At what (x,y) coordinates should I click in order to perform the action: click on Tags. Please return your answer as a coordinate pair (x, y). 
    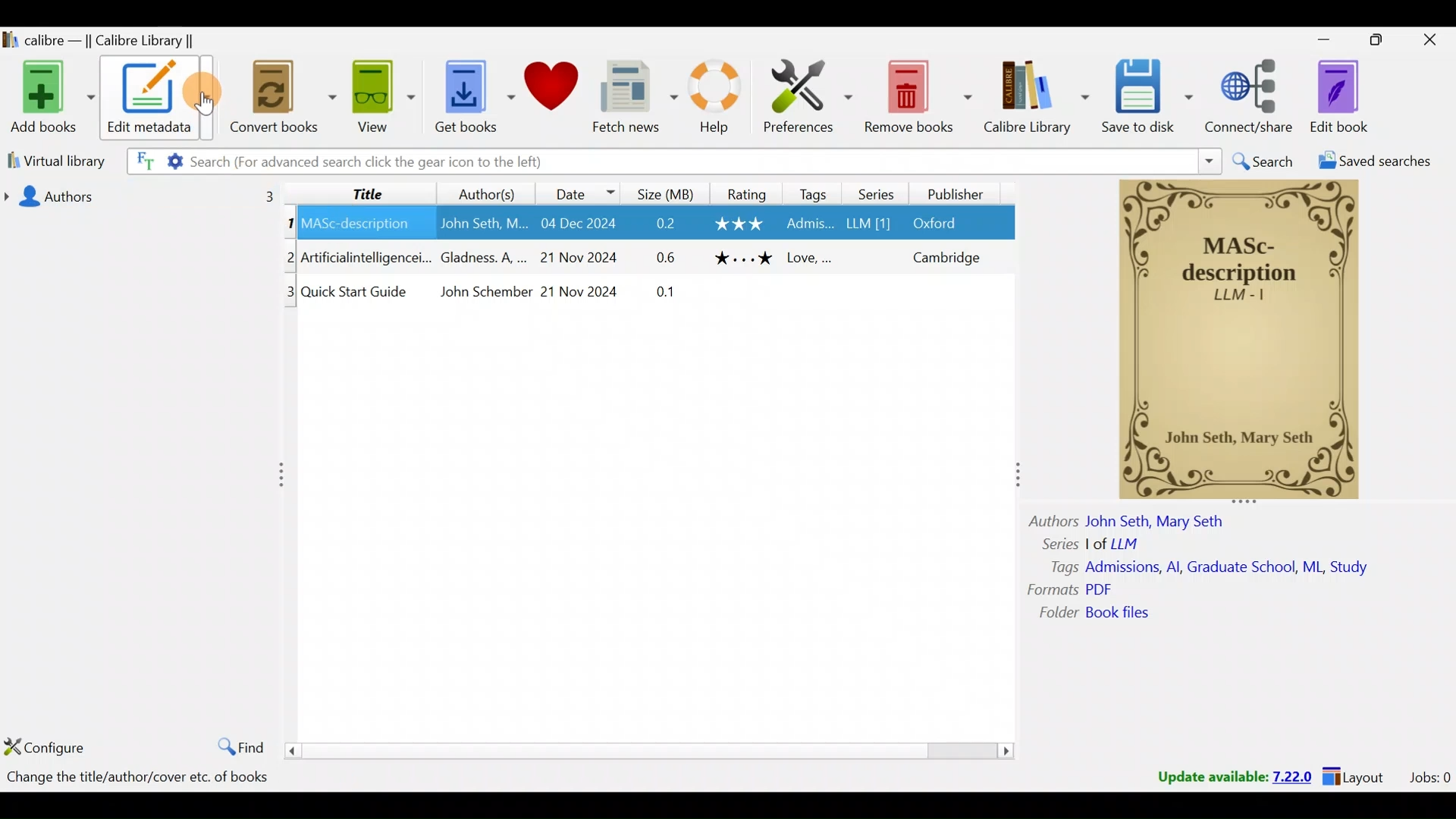
    Looking at the image, I should click on (812, 193).